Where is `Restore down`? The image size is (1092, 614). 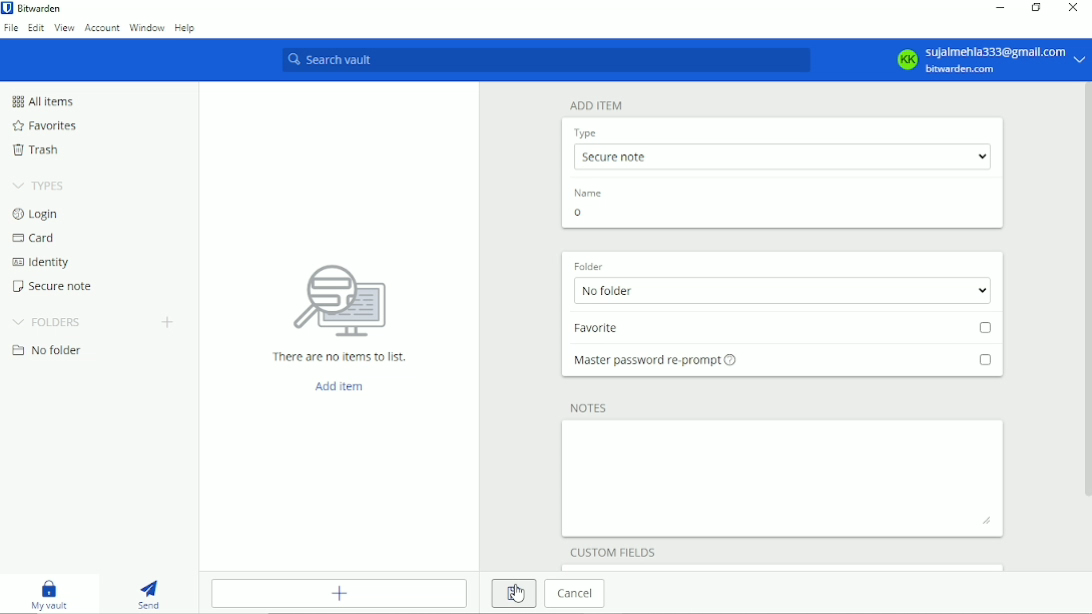
Restore down is located at coordinates (1034, 8).